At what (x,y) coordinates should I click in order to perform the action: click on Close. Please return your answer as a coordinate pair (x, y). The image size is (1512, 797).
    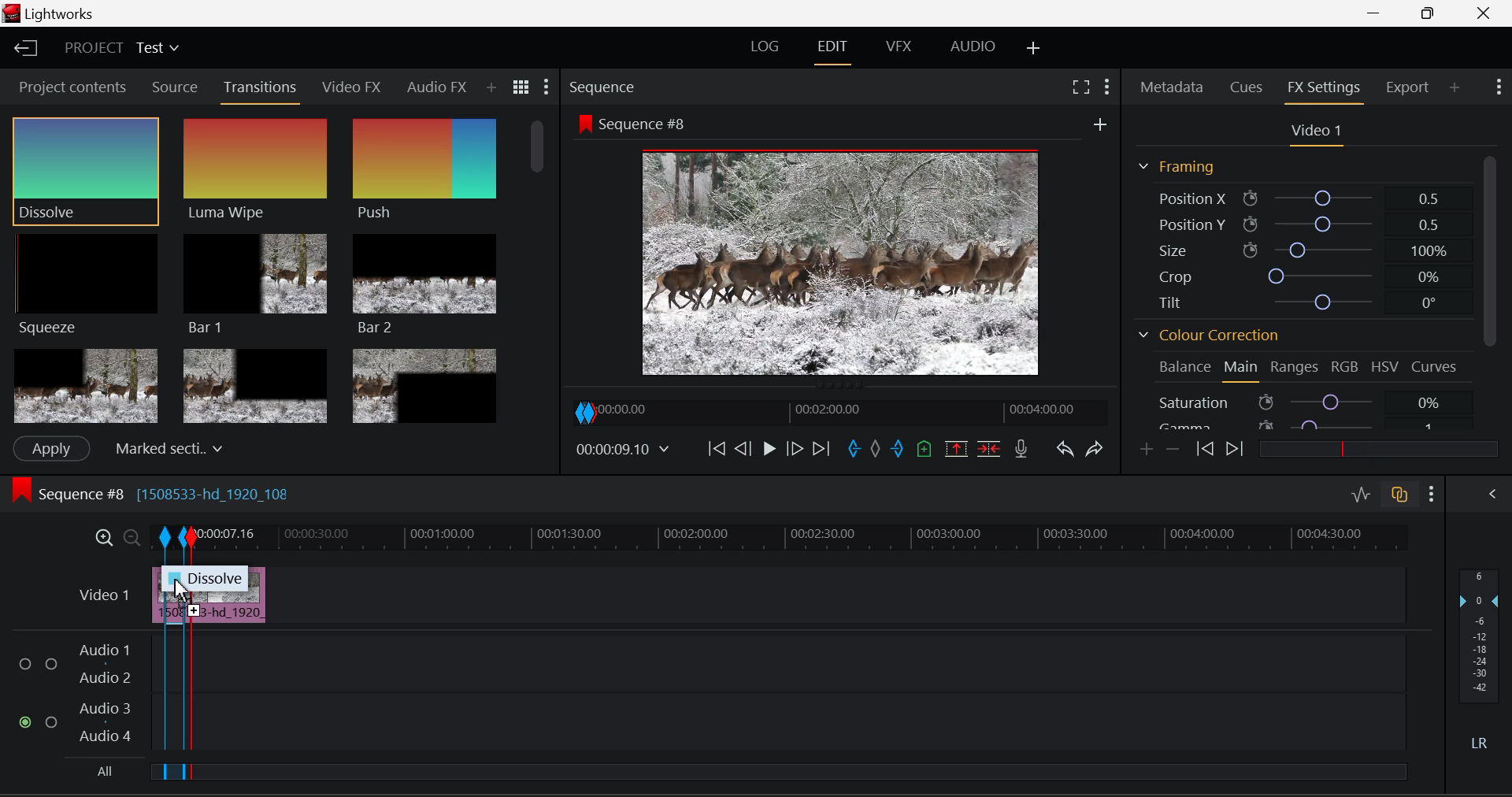
    Looking at the image, I should click on (1485, 13).